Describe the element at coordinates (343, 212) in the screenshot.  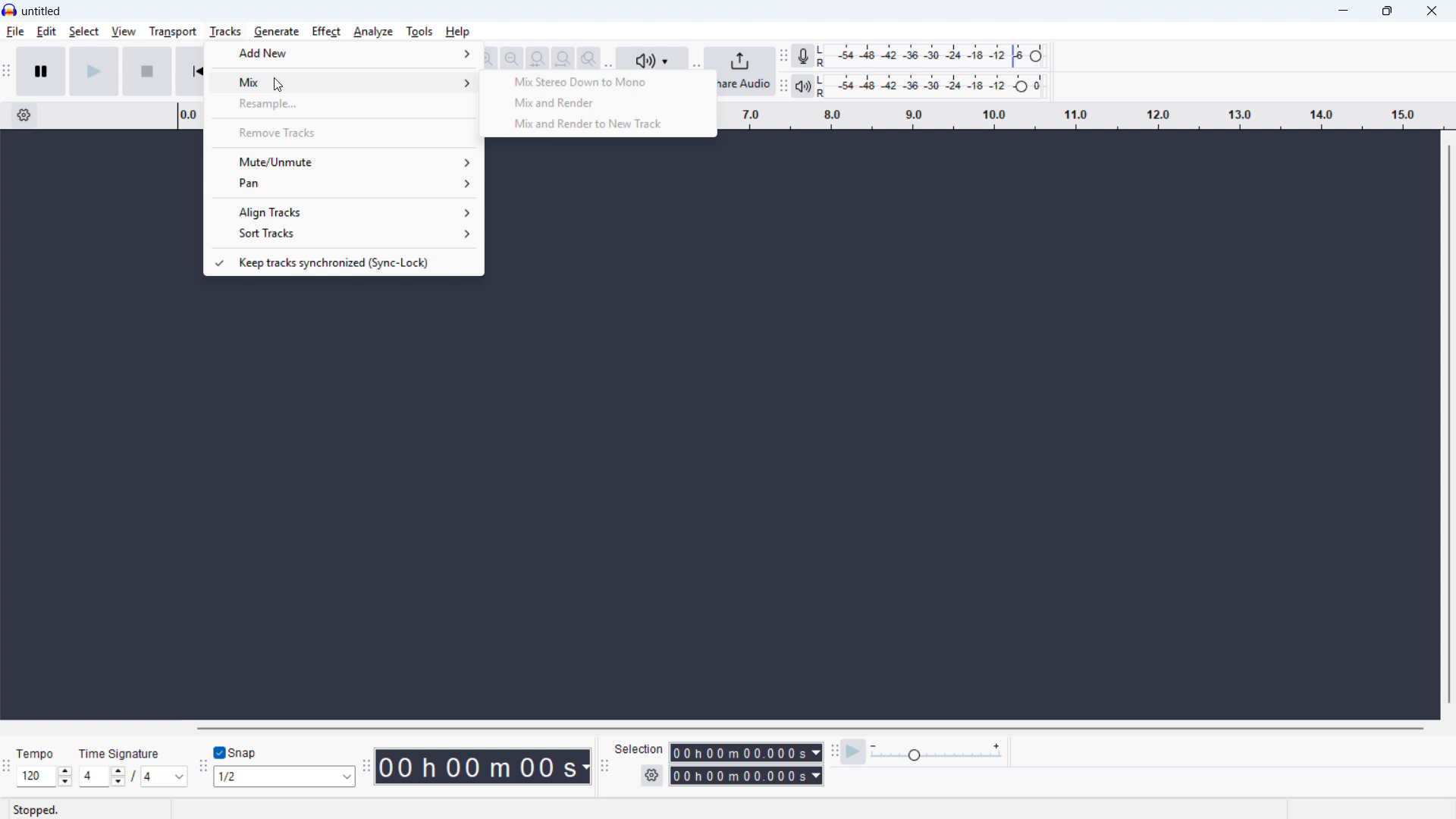
I see `Align tracks ` at that location.